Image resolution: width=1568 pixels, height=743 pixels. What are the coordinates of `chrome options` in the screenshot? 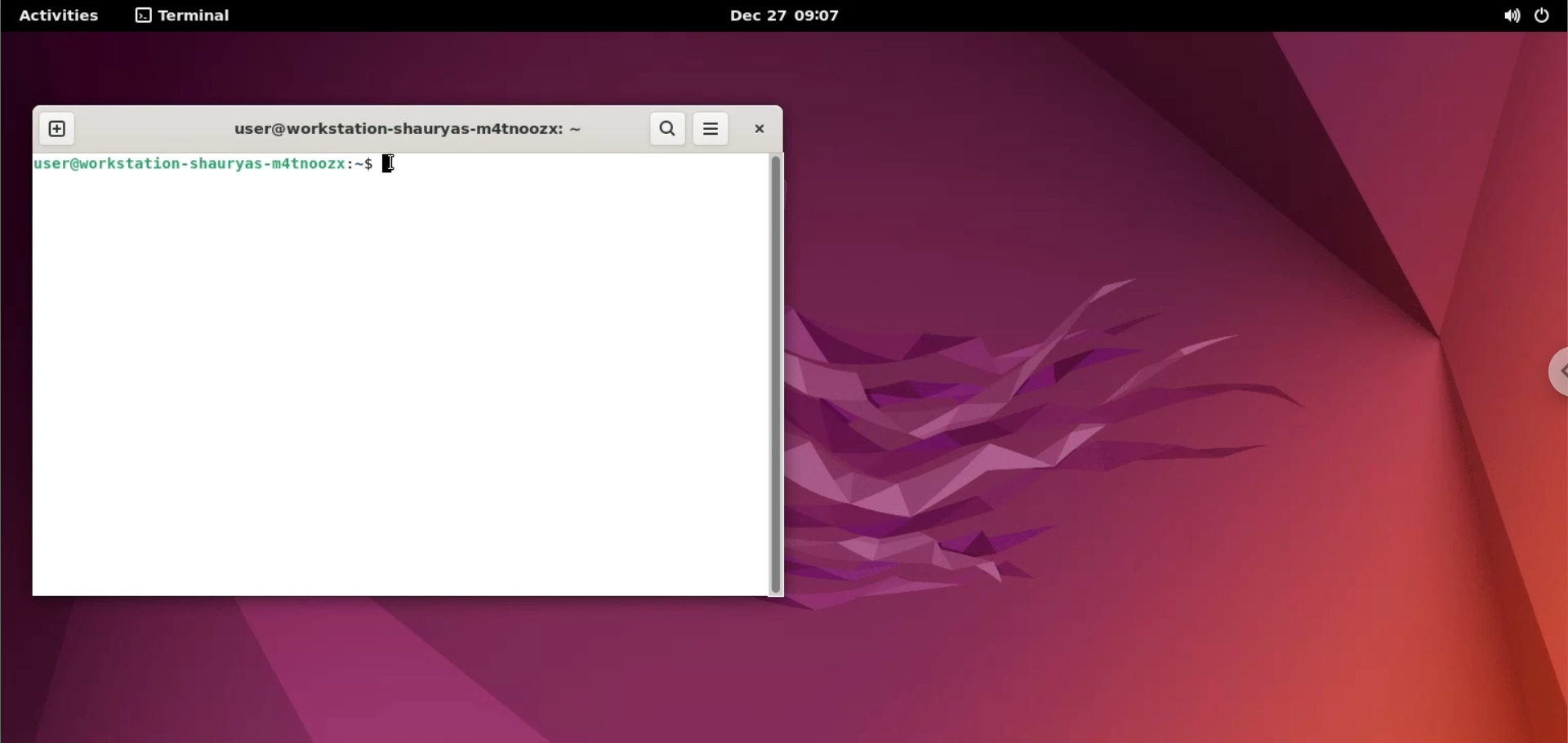 It's located at (1554, 374).